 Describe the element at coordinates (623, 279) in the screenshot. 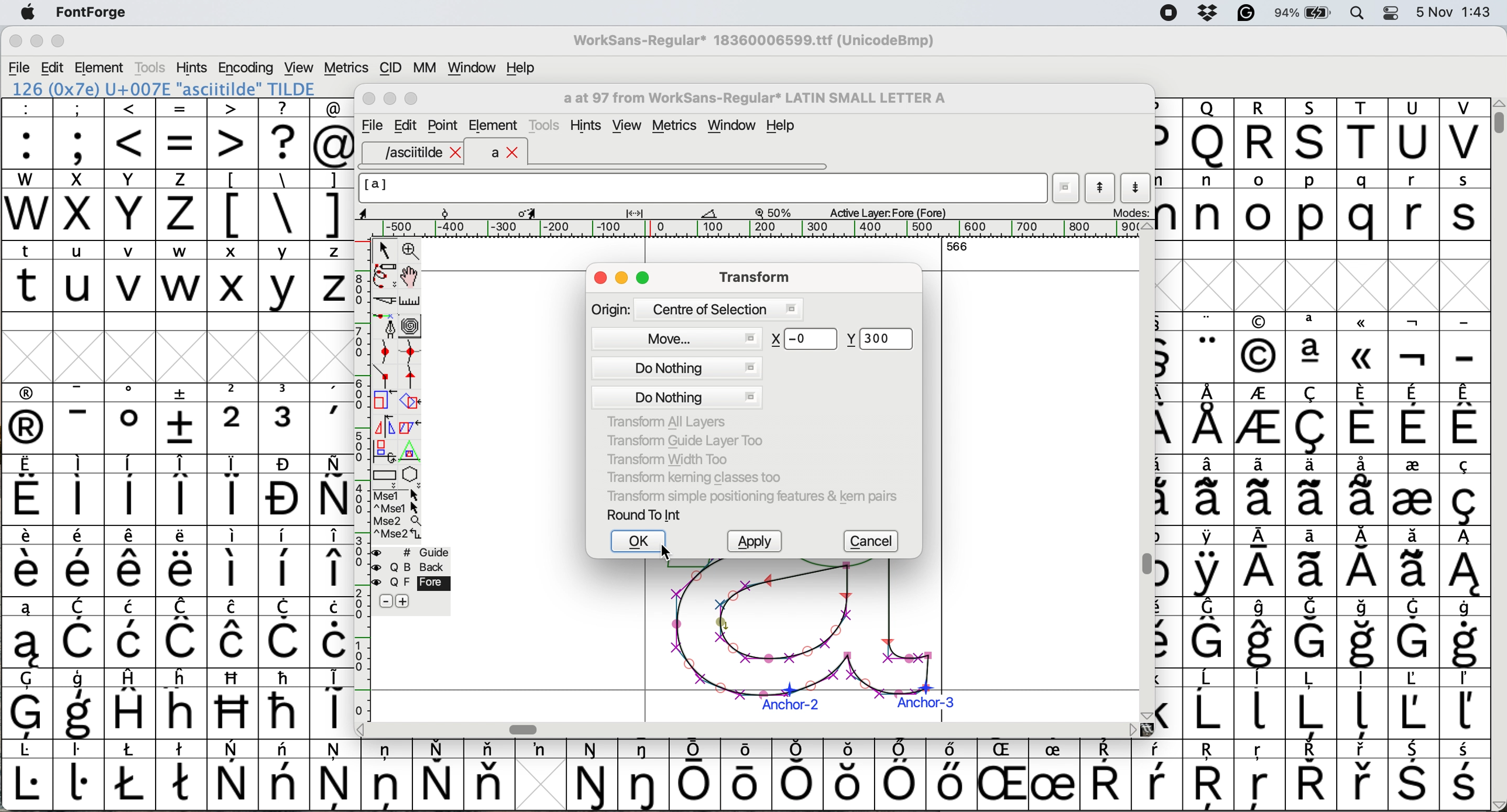

I see `minimise` at that location.